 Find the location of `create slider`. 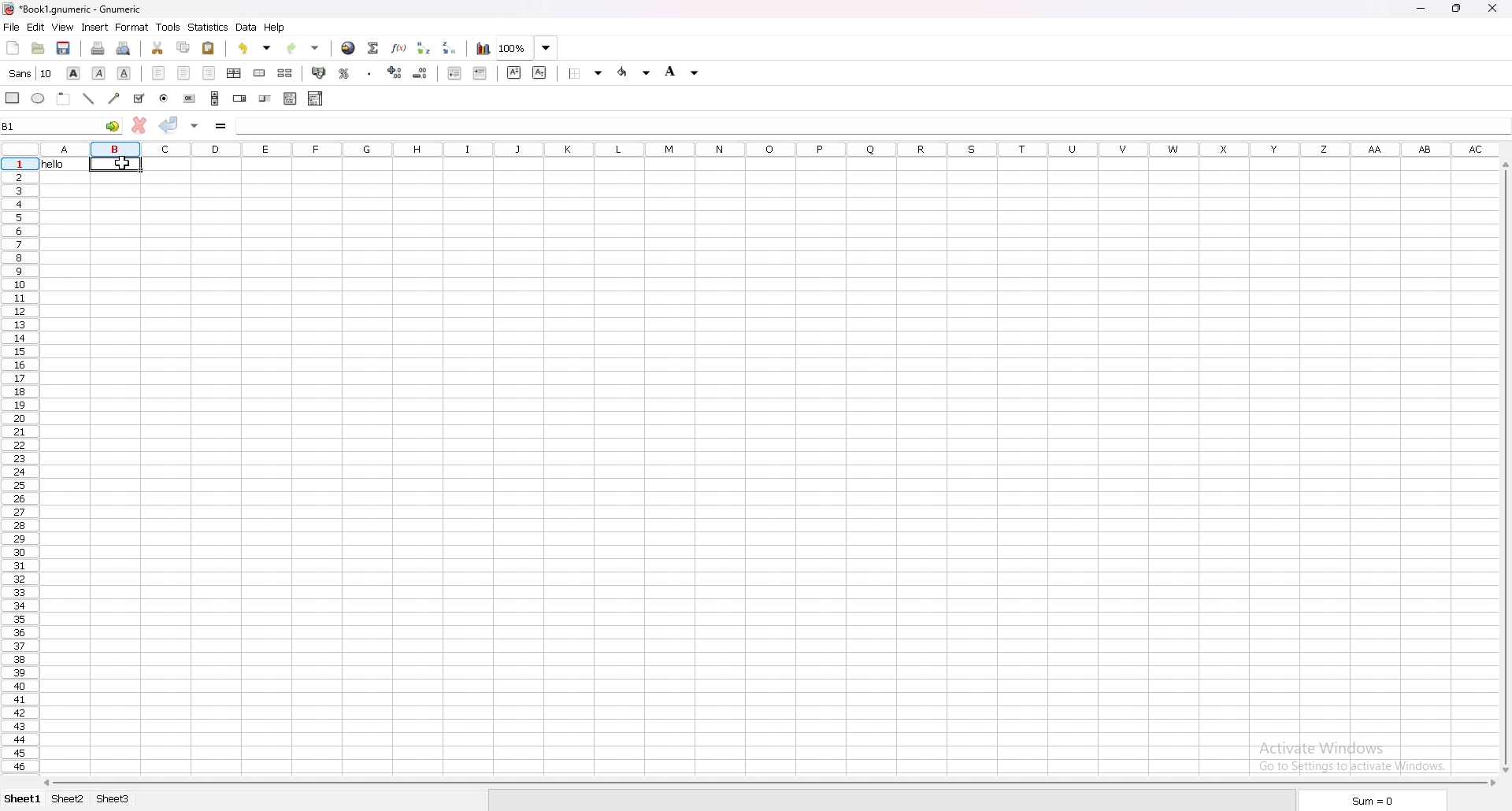

create slider is located at coordinates (267, 98).